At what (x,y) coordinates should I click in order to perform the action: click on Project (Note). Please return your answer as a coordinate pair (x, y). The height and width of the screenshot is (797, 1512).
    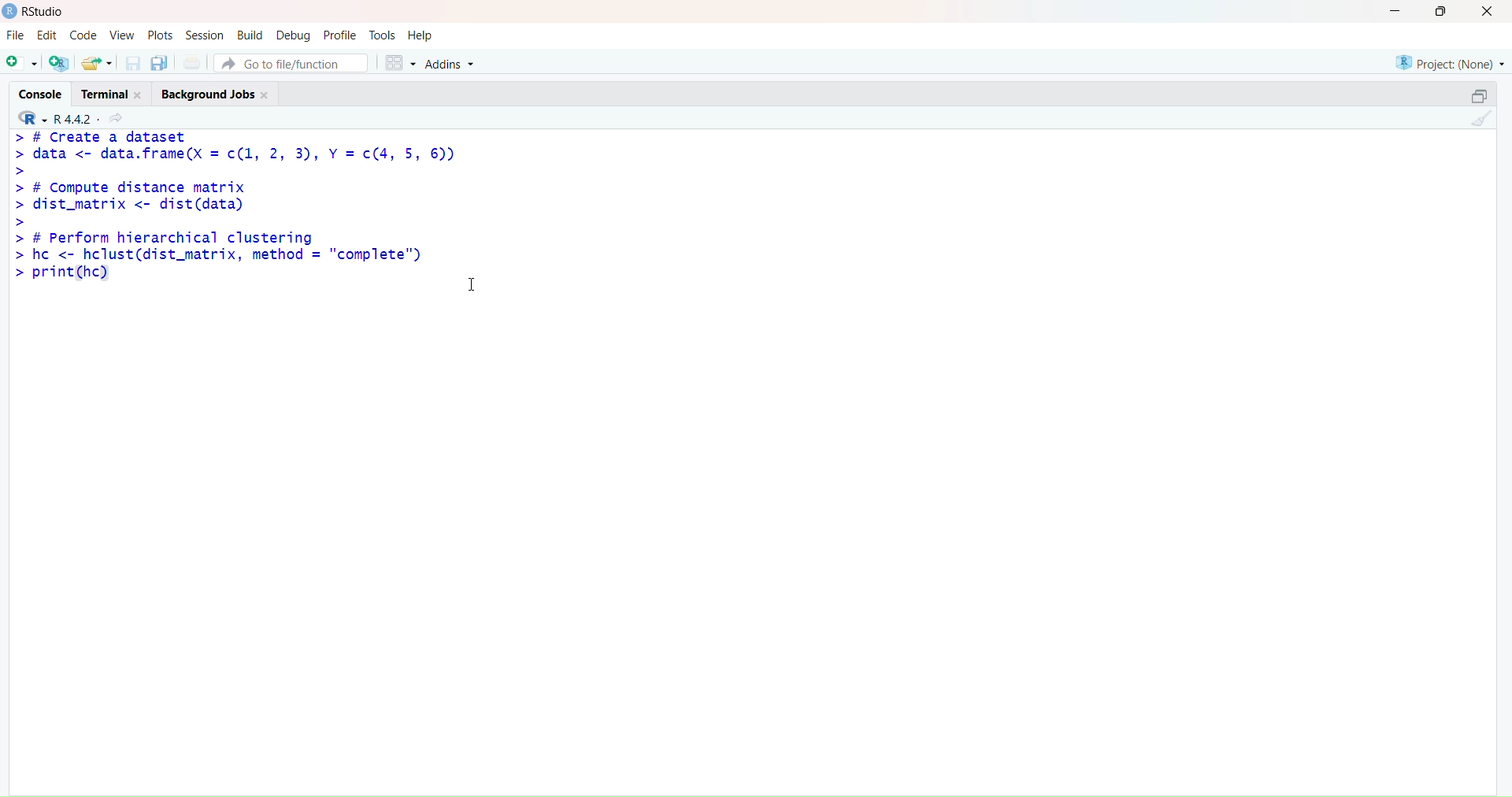
    Looking at the image, I should click on (1451, 61).